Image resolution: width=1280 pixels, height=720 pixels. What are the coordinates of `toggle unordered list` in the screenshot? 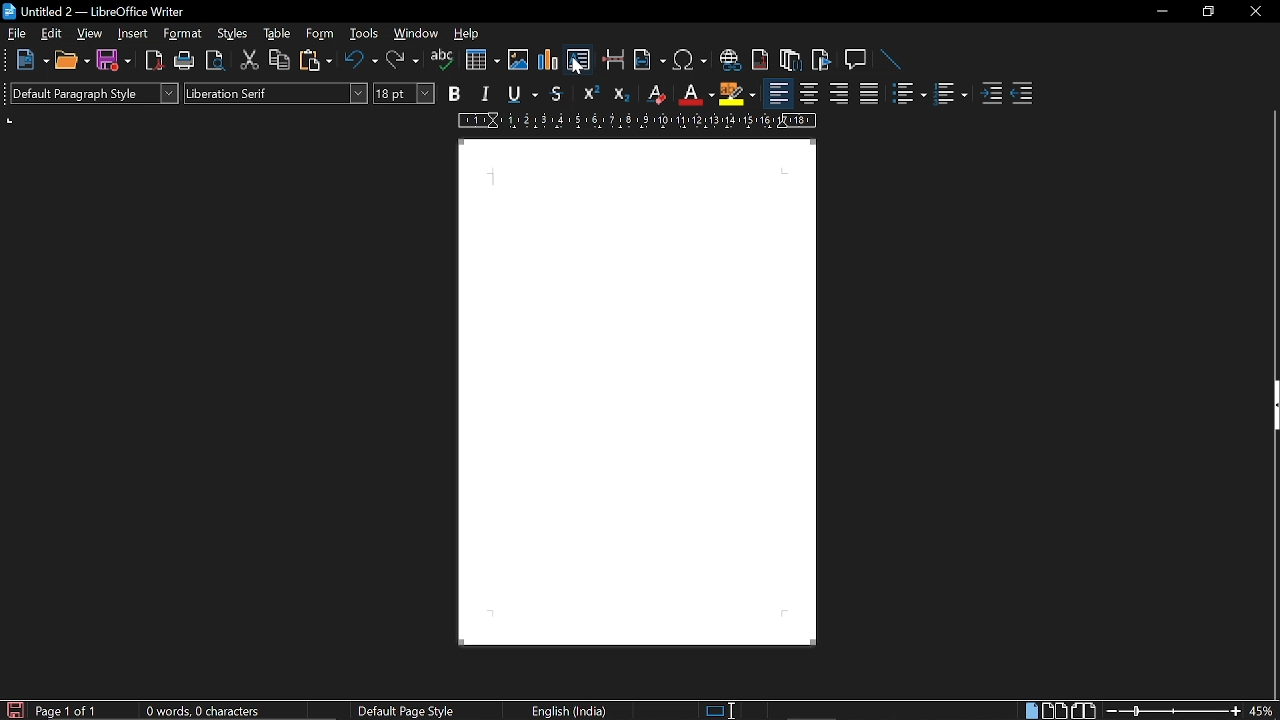 It's located at (908, 94).